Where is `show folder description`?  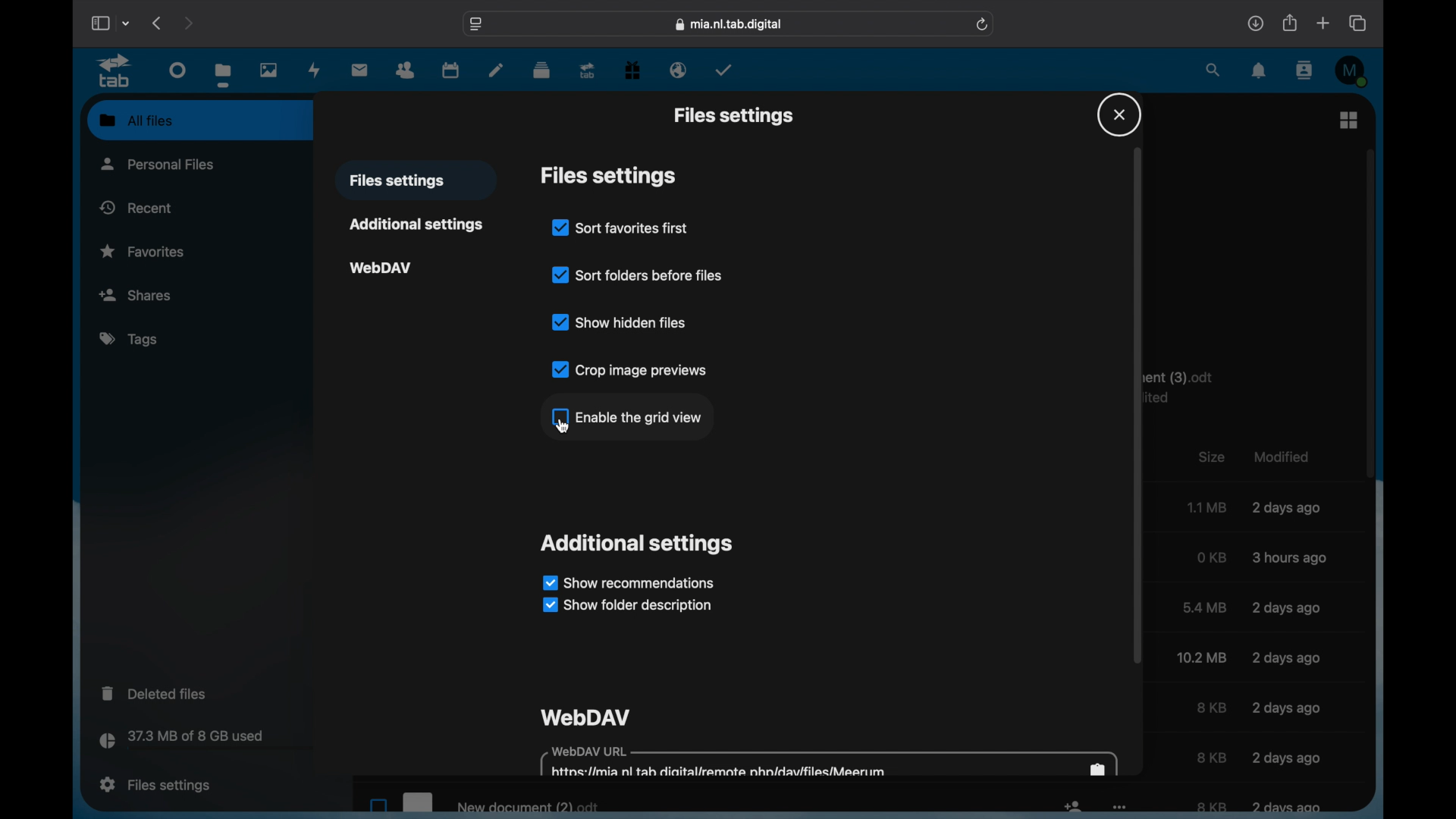
show folder description is located at coordinates (625, 606).